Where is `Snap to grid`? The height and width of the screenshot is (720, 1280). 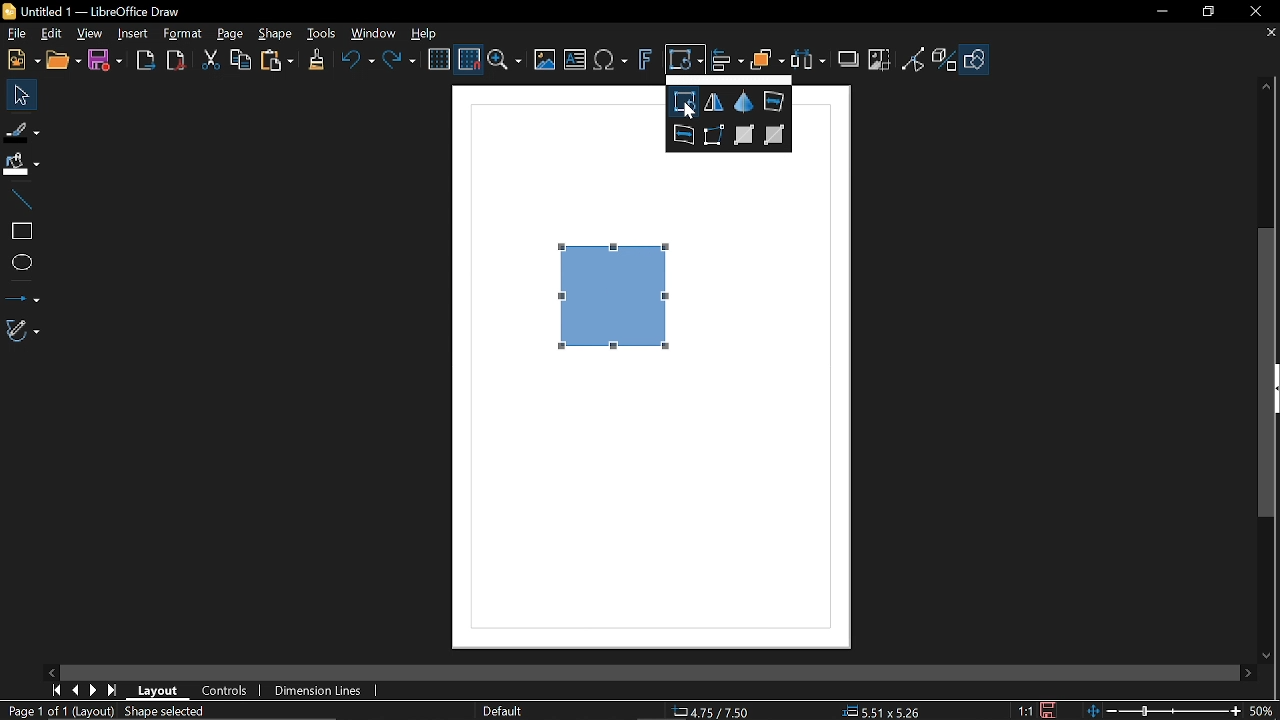
Snap to grid is located at coordinates (470, 60).